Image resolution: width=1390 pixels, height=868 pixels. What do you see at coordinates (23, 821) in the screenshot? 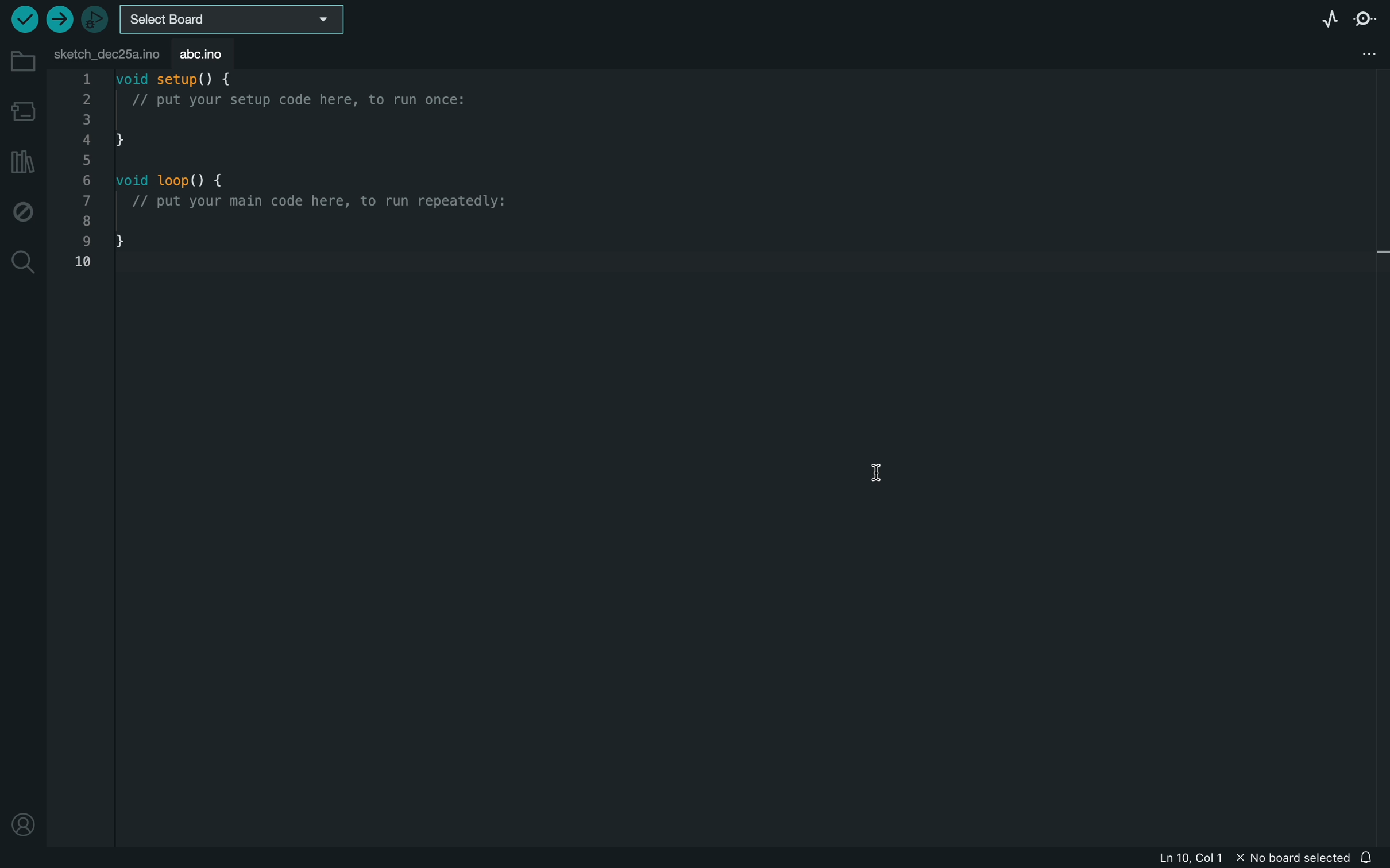
I see `profile` at bounding box center [23, 821].